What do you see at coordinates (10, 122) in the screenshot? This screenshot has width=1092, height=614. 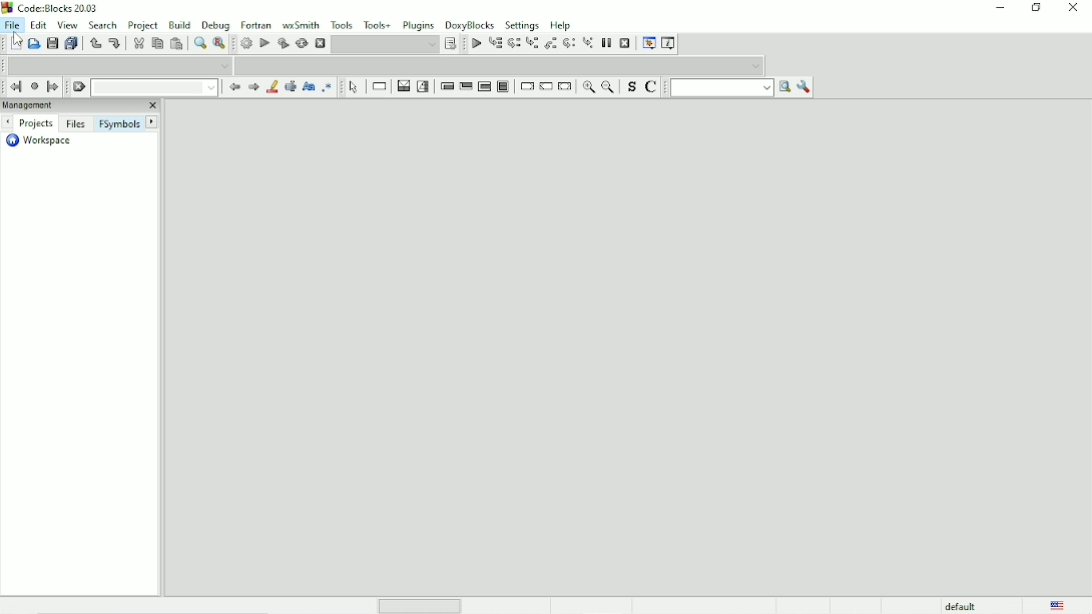 I see `Prev` at bounding box center [10, 122].